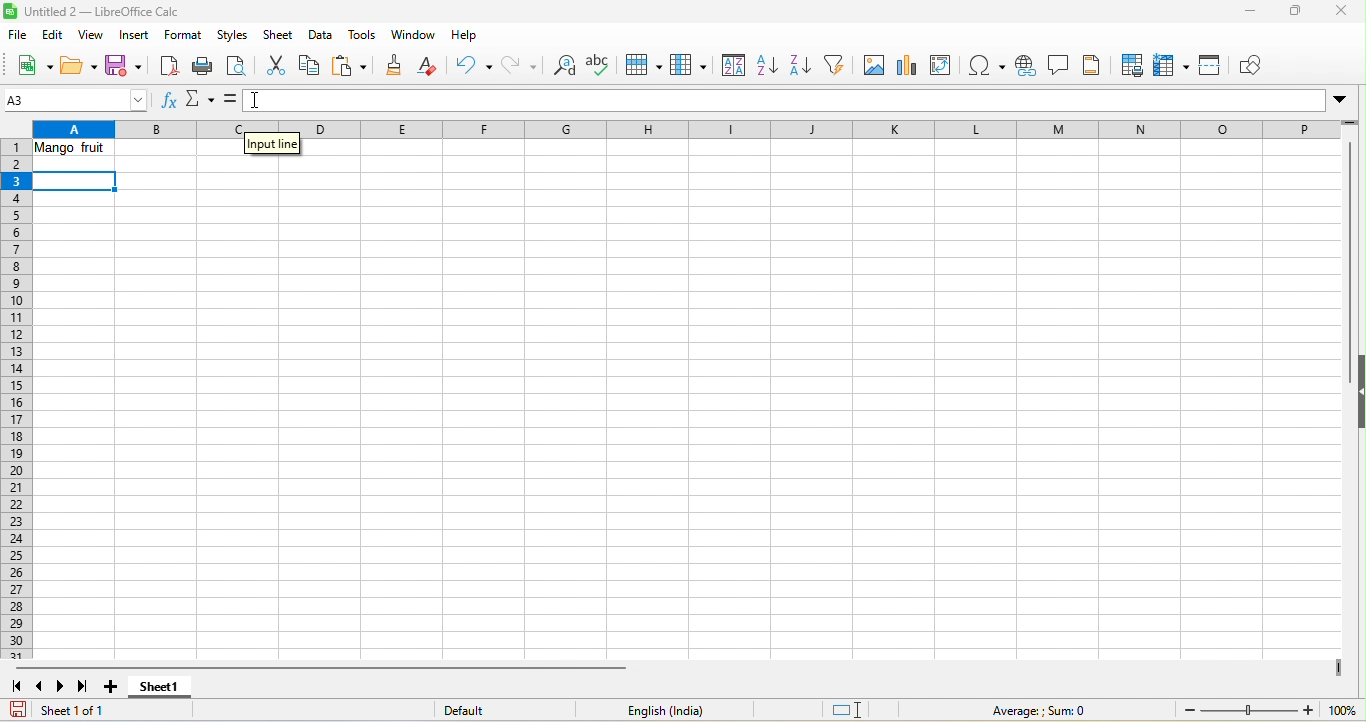 Image resolution: width=1366 pixels, height=722 pixels. Describe the element at coordinates (1257, 65) in the screenshot. I see `show draw function` at that location.